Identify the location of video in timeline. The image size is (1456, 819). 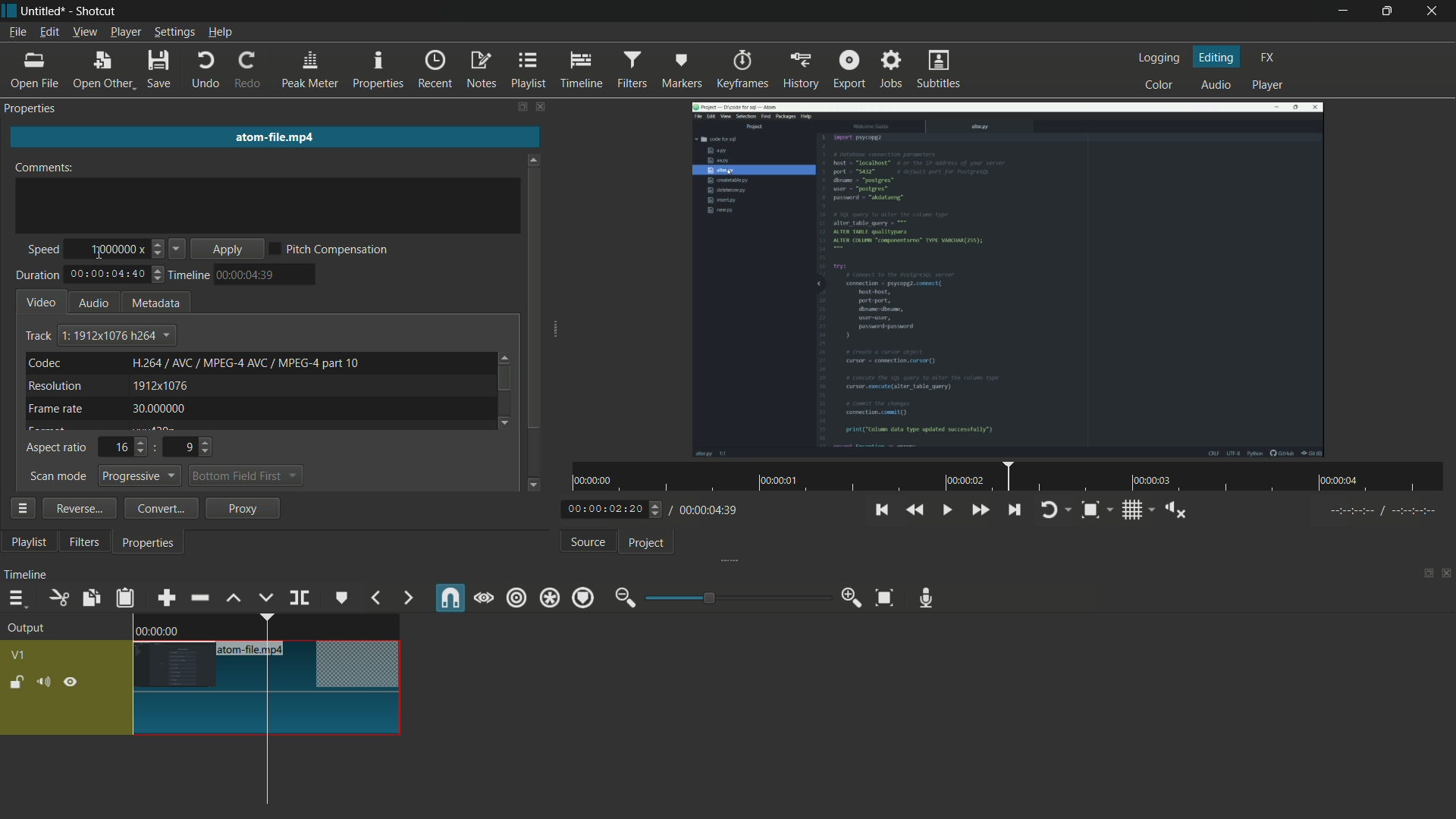
(268, 675).